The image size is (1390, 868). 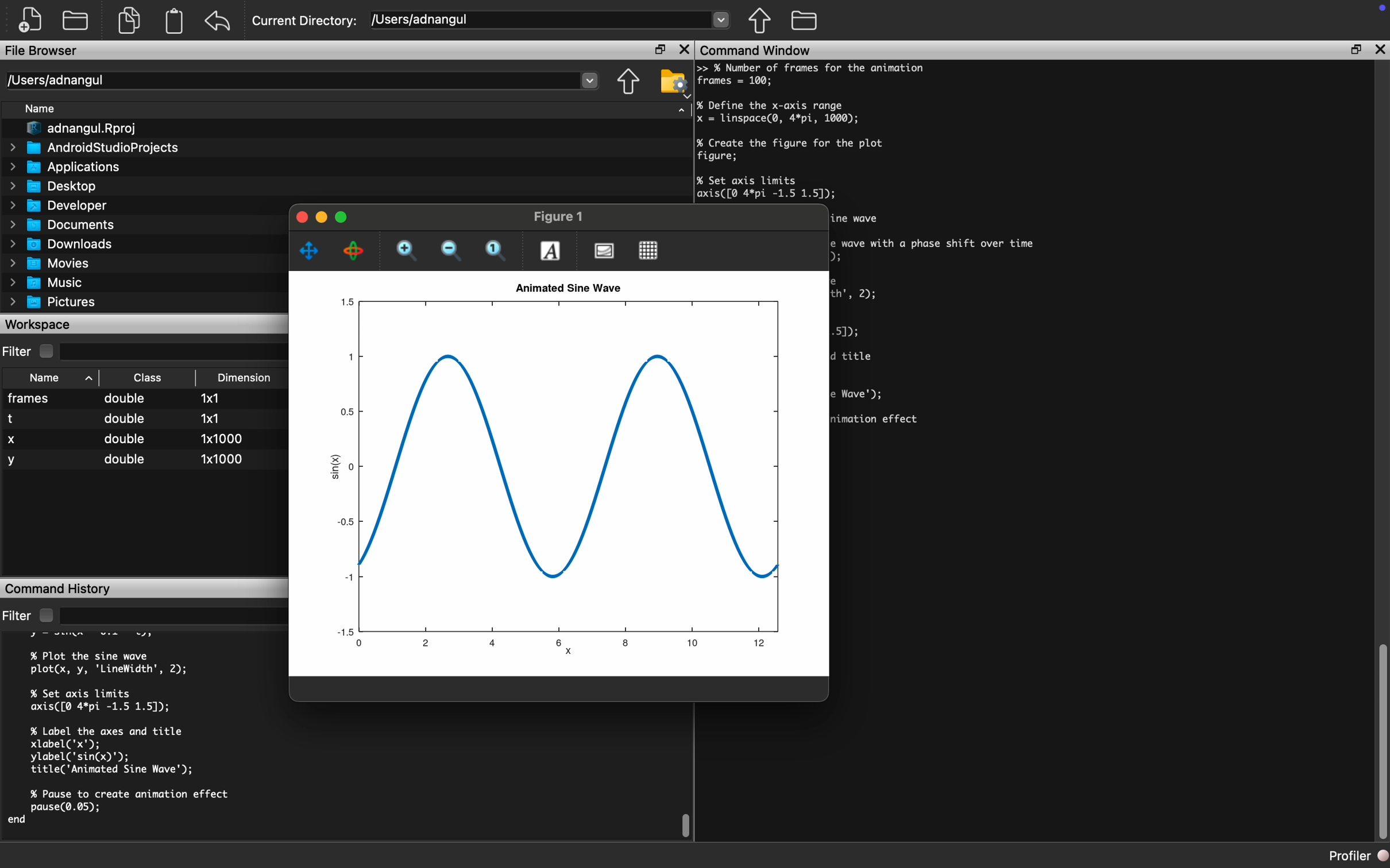 I want to click on Desktop, so click(x=55, y=187).